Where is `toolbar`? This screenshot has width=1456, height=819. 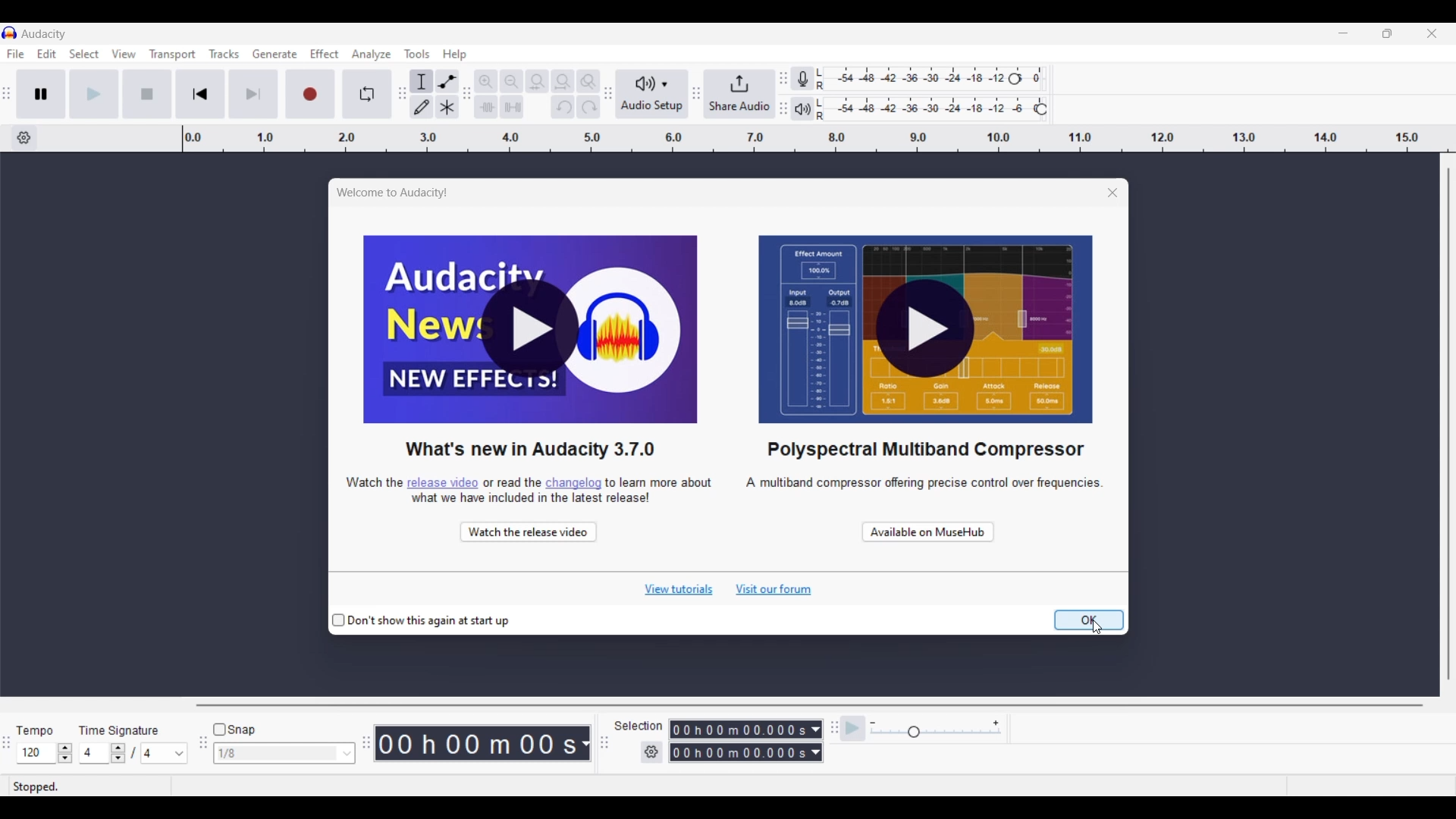
toolbar is located at coordinates (9, 92).